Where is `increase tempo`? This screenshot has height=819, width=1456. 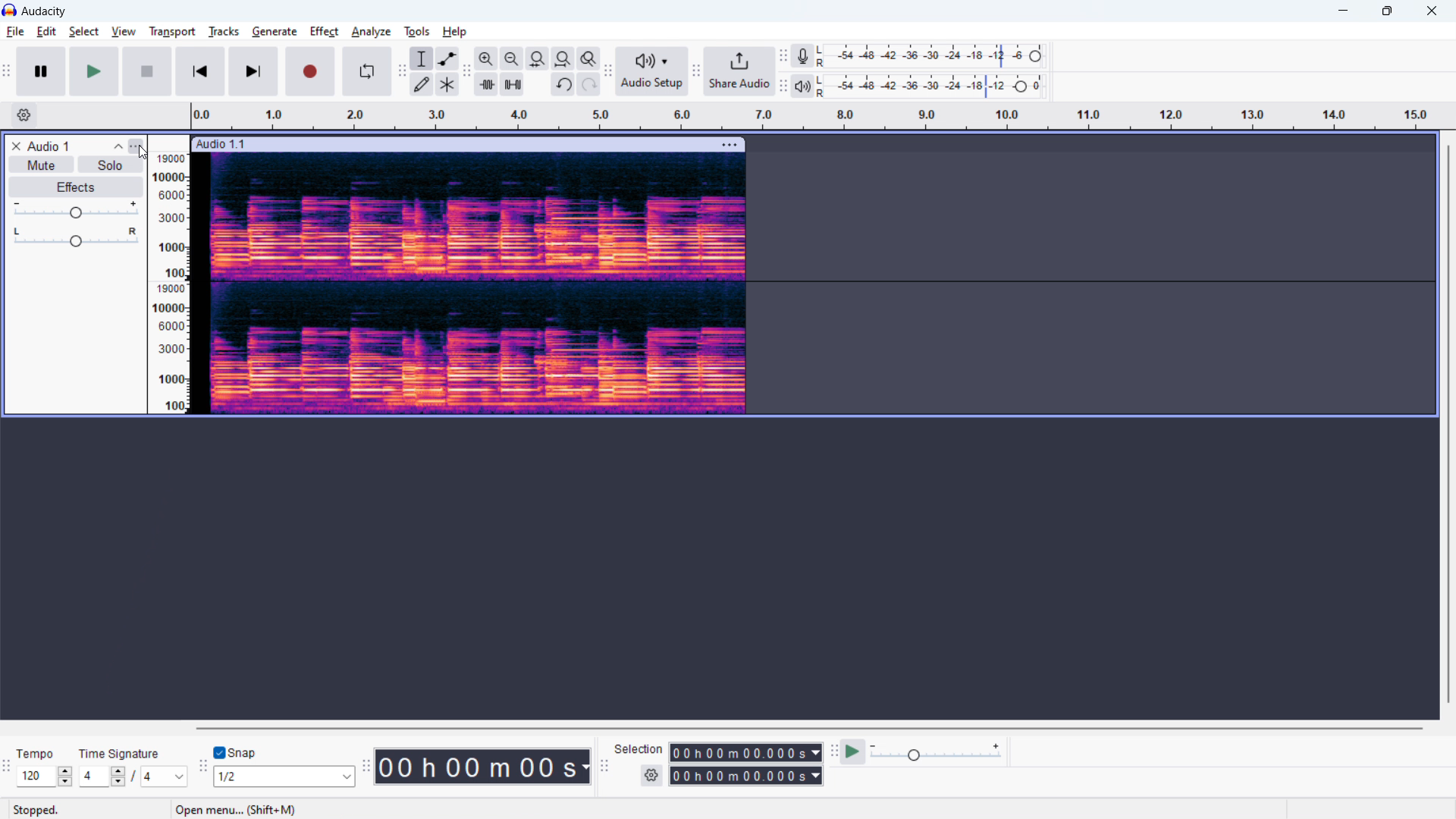
increase tempo is located at coordinates (65, 770).